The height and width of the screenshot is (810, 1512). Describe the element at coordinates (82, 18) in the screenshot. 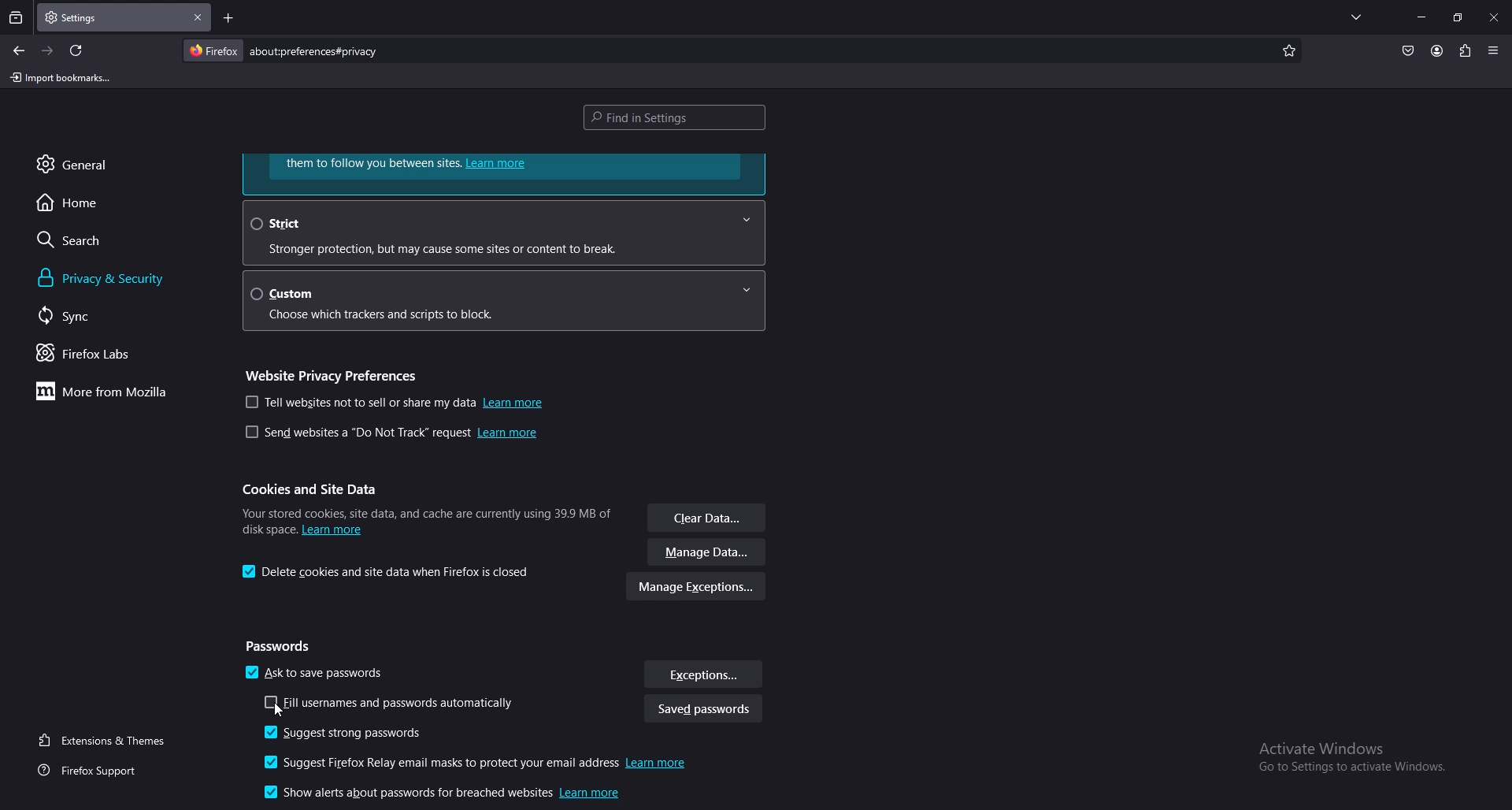

I see `tab` at that location.